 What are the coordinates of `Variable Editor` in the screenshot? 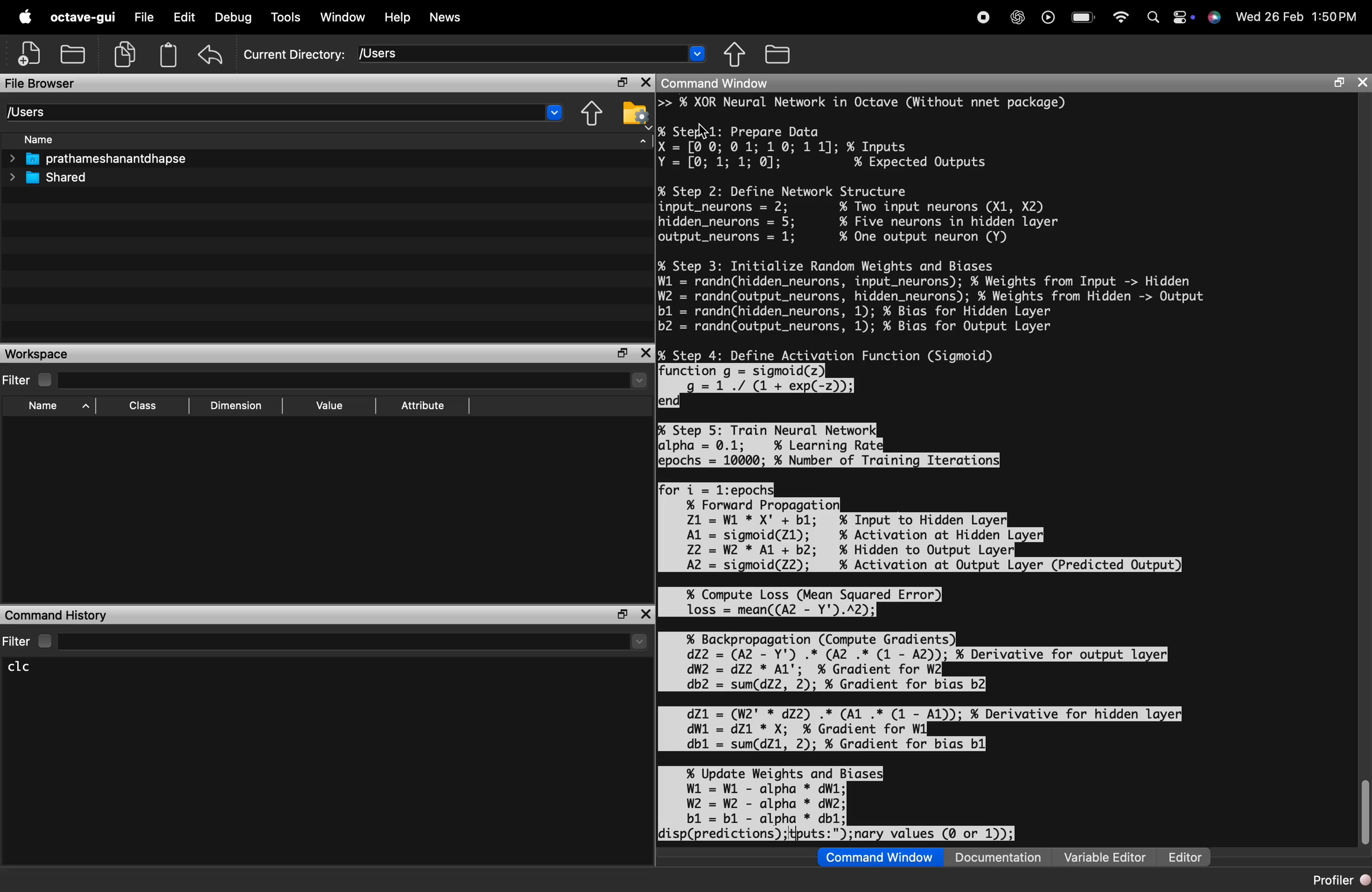 It's located at (1106, 857).